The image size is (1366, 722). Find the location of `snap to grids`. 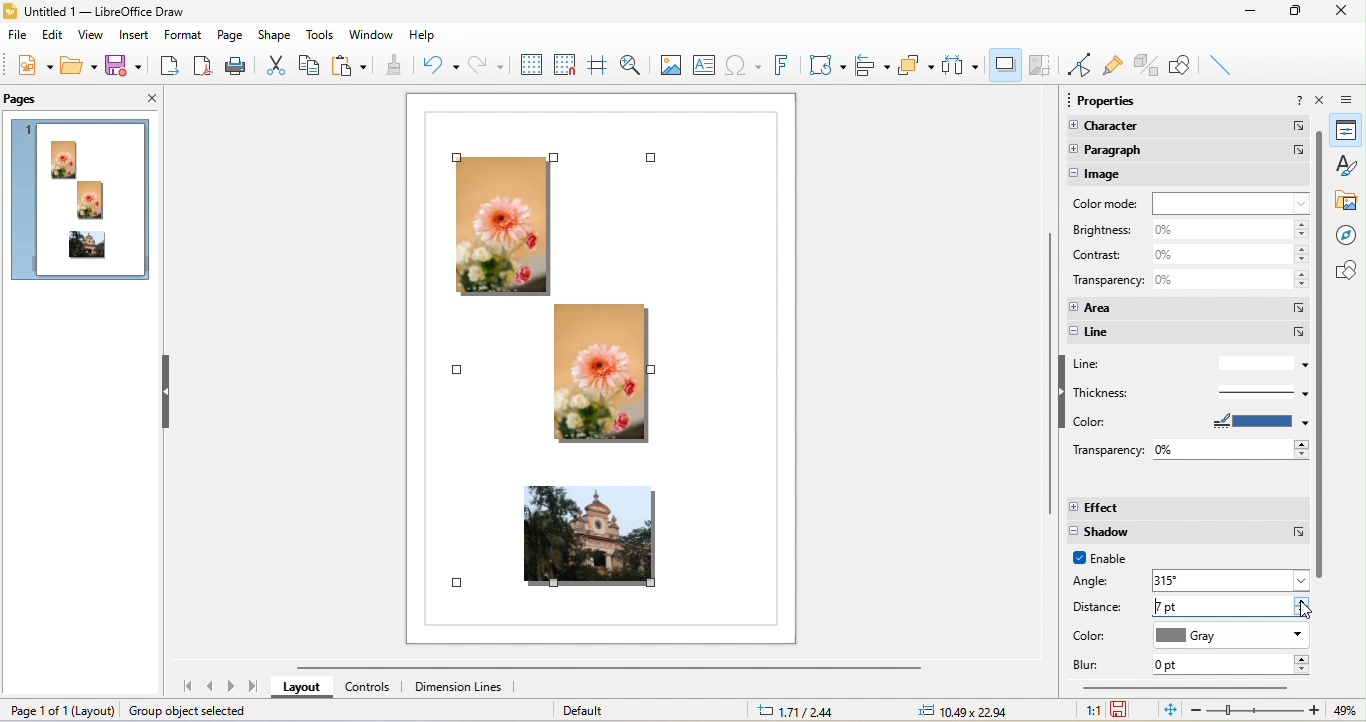

snap to grids is located at coordinates (565, 63).